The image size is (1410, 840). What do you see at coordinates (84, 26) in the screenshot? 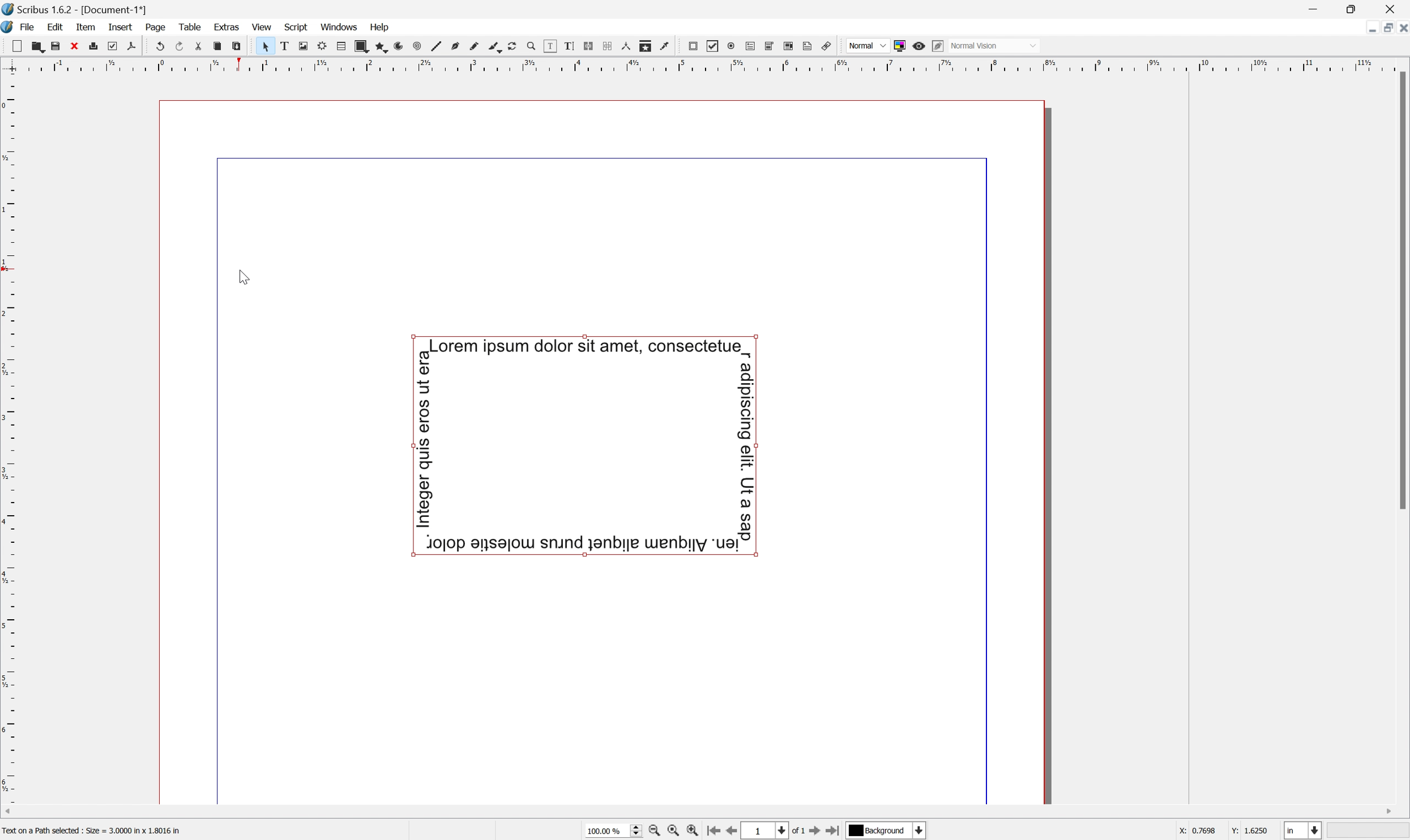
I see `Item` at bounding box center [84, 26].